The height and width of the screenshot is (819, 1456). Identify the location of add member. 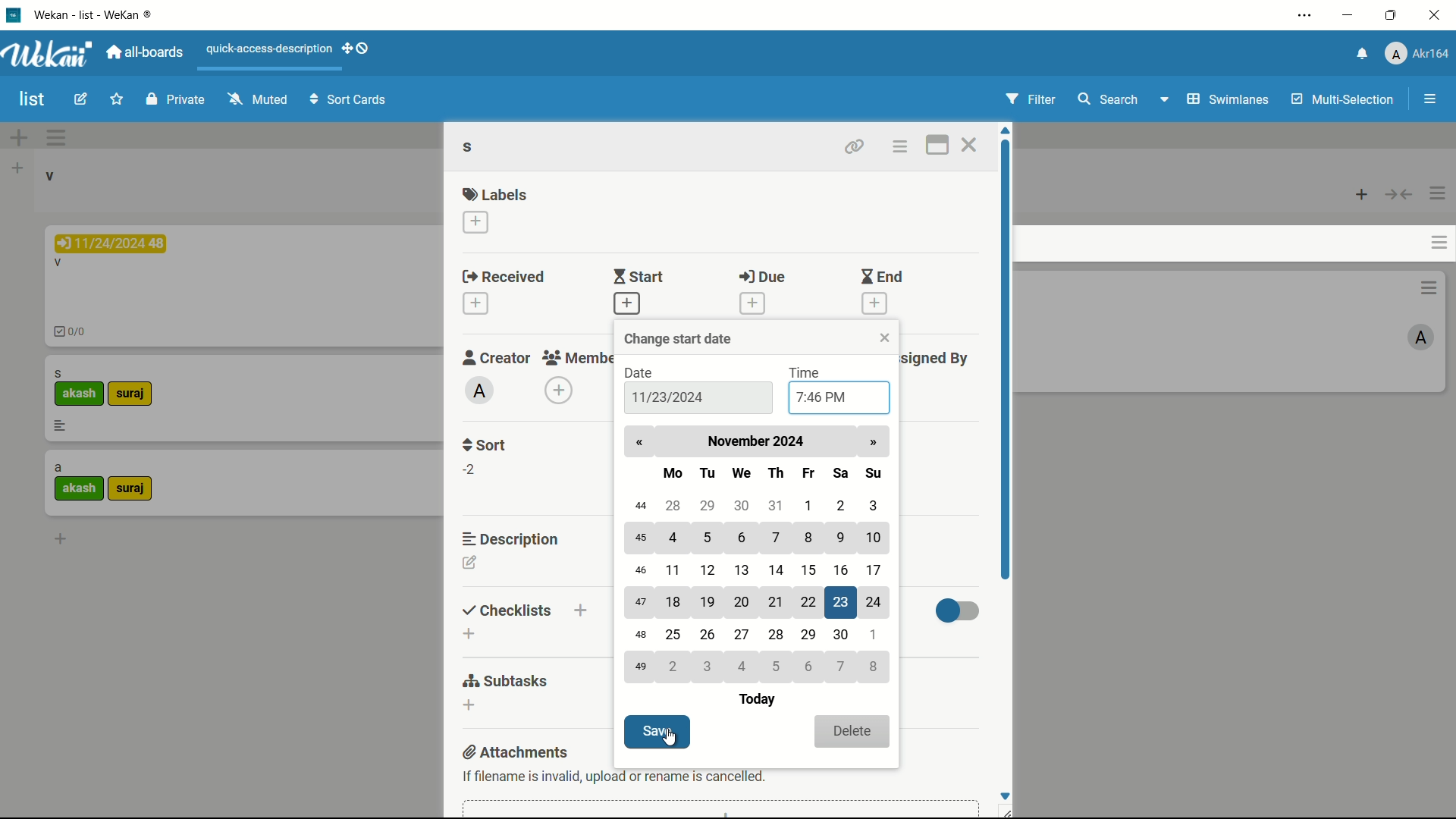
(558, 391).